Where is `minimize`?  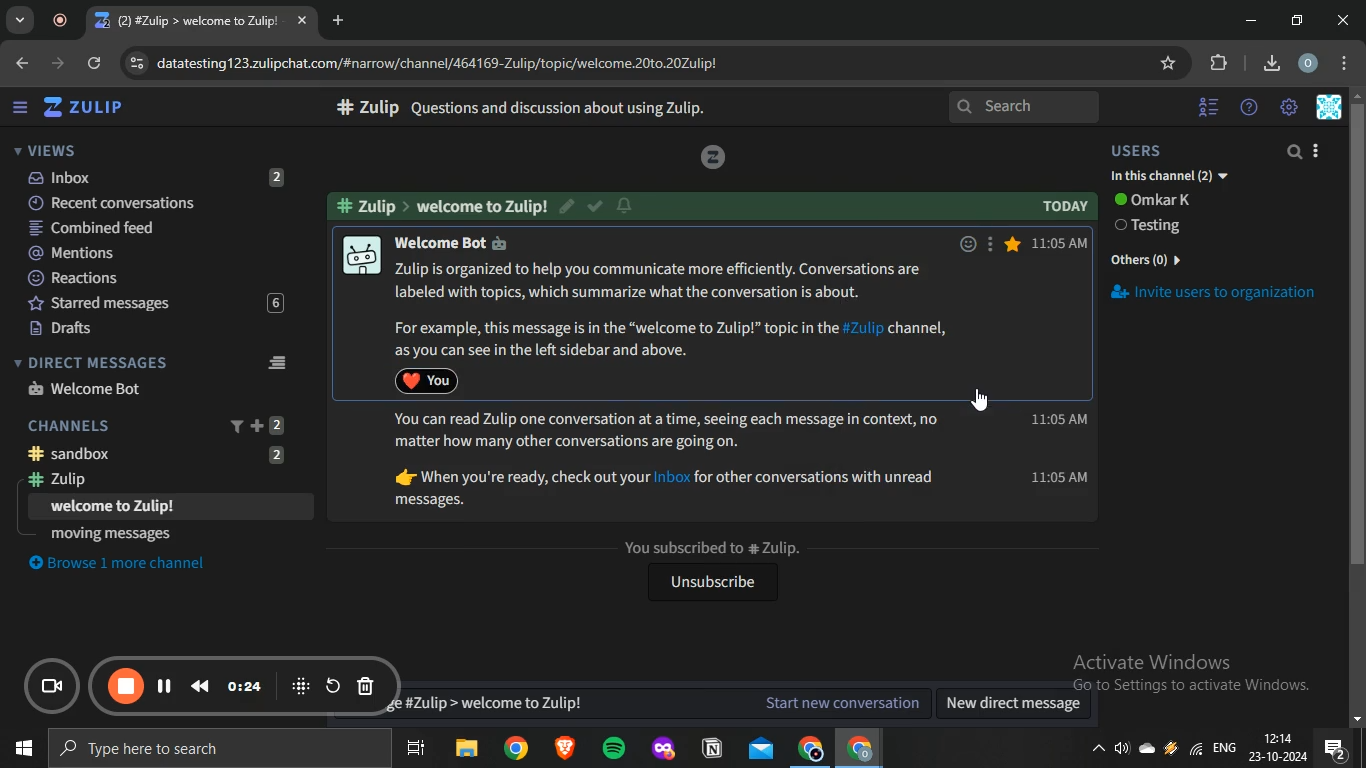 minimize is located at coordinates (1251, 21).